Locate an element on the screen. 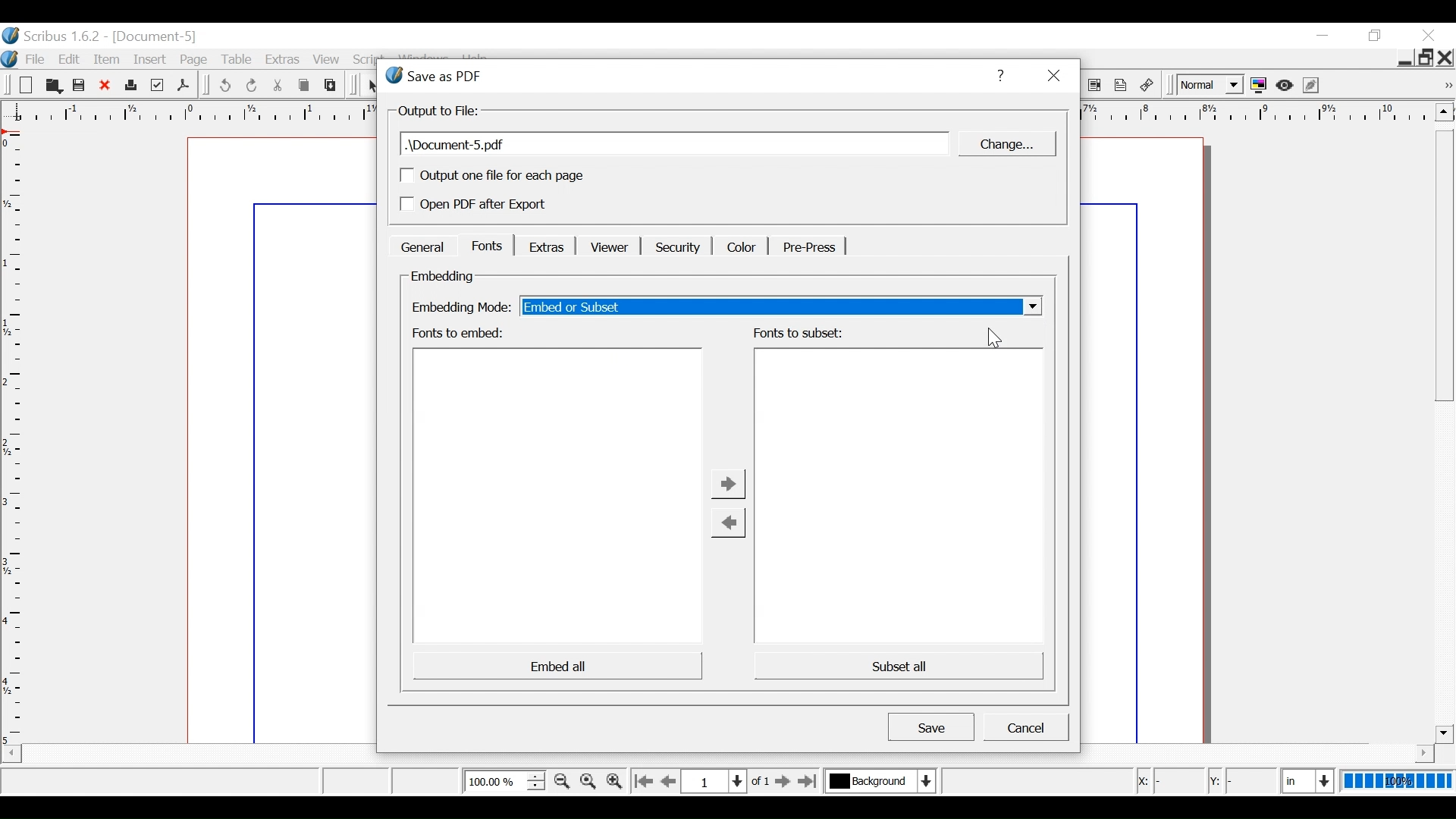  Item is located at coordinates (108, 59).